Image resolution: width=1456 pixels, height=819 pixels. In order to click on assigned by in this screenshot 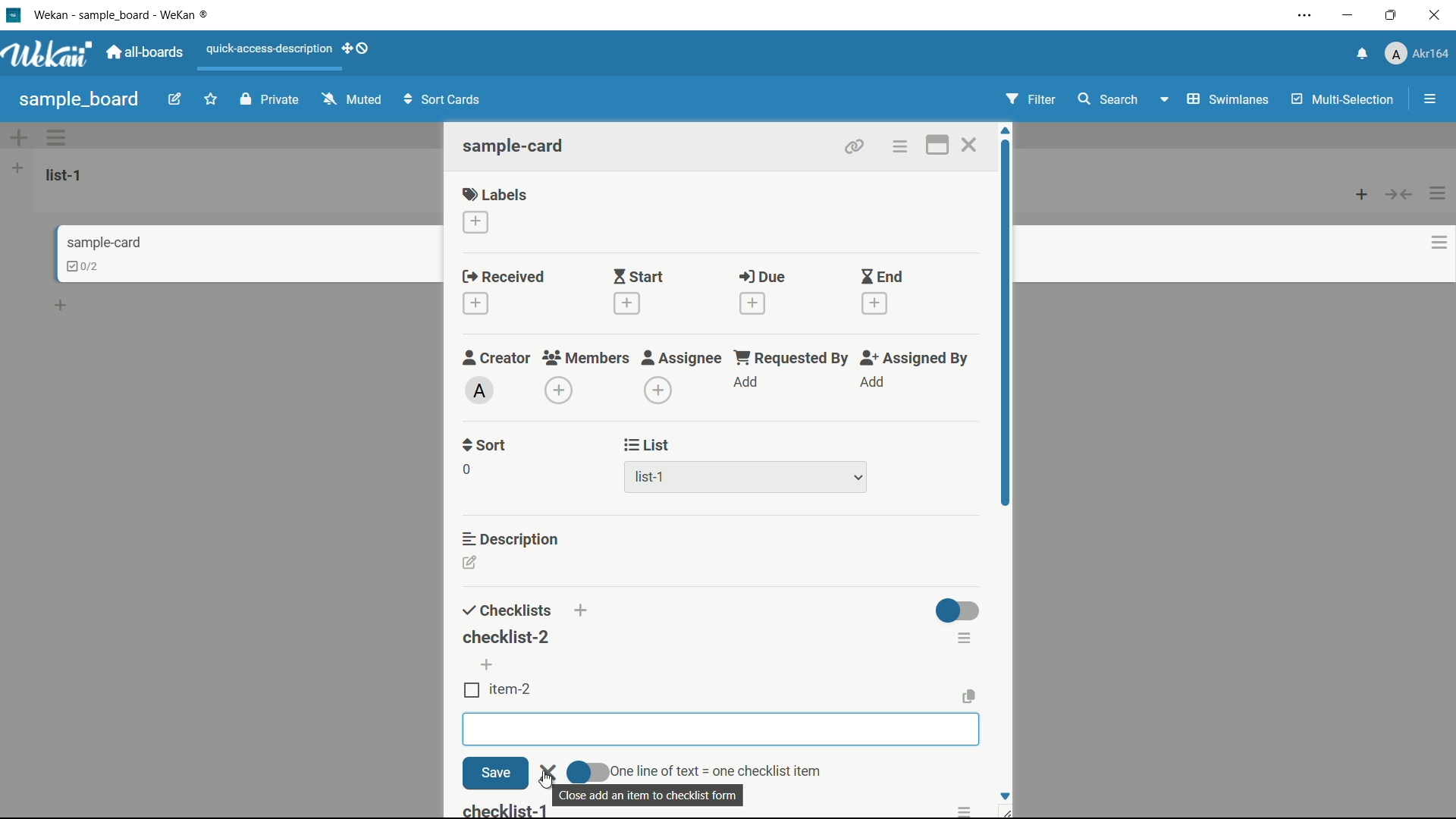, I will do `click(916, 358)`.